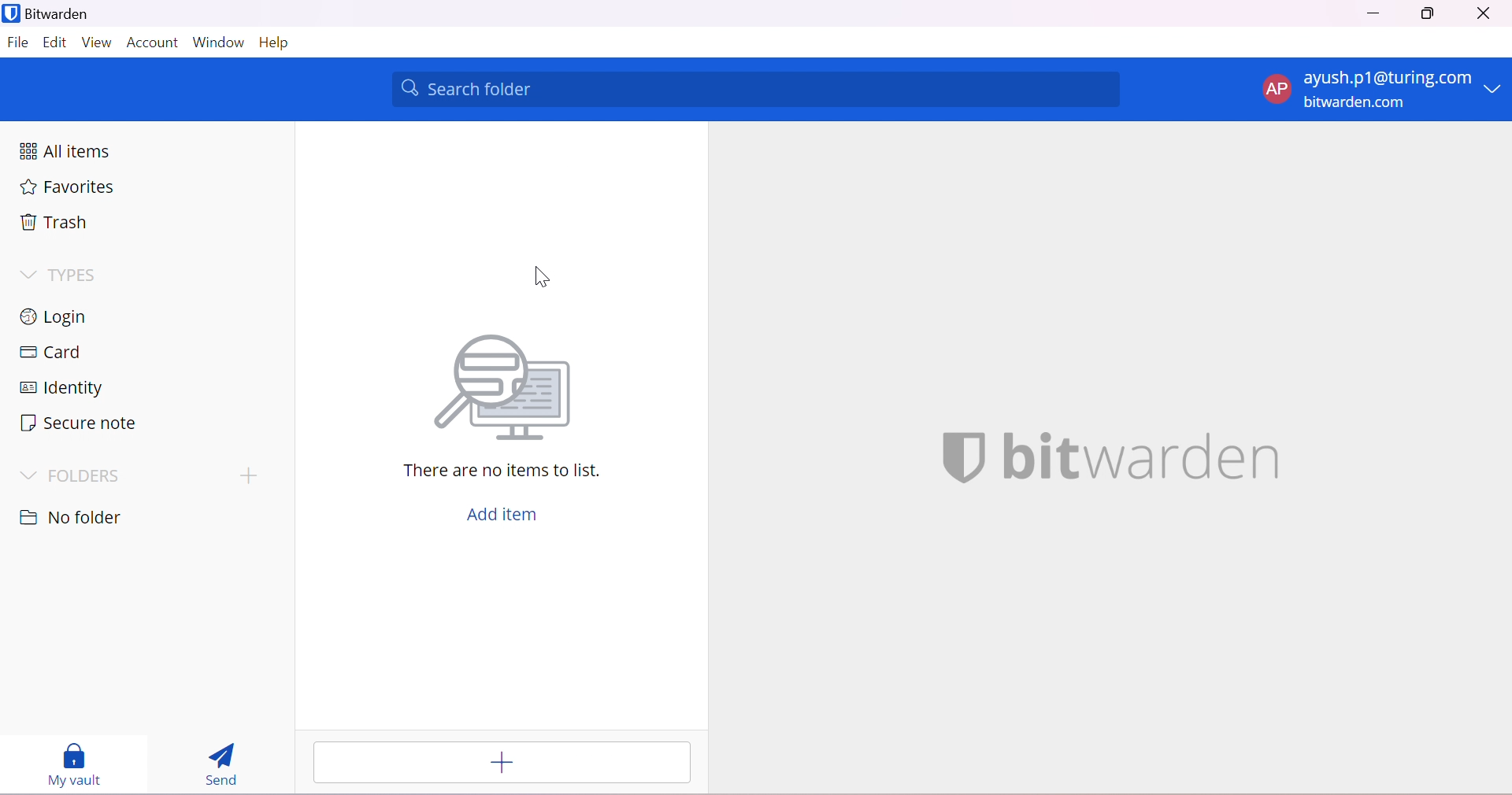  What do you see at coordinates (1483, 13) in the screenshot?
I see `Close` at bounding box center [1483, 13].